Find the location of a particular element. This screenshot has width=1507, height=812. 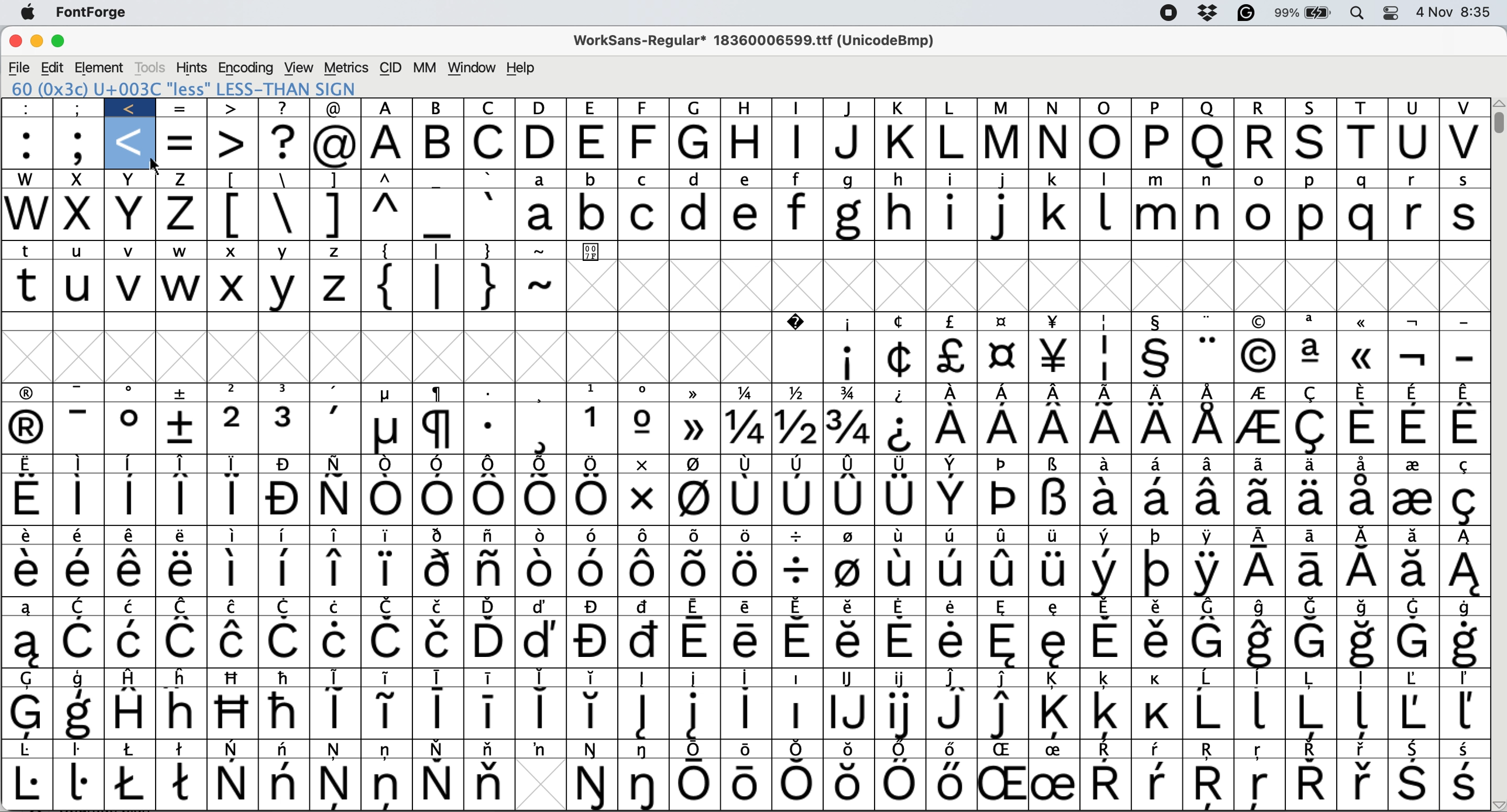

k is located at coordinates (1056, 214).